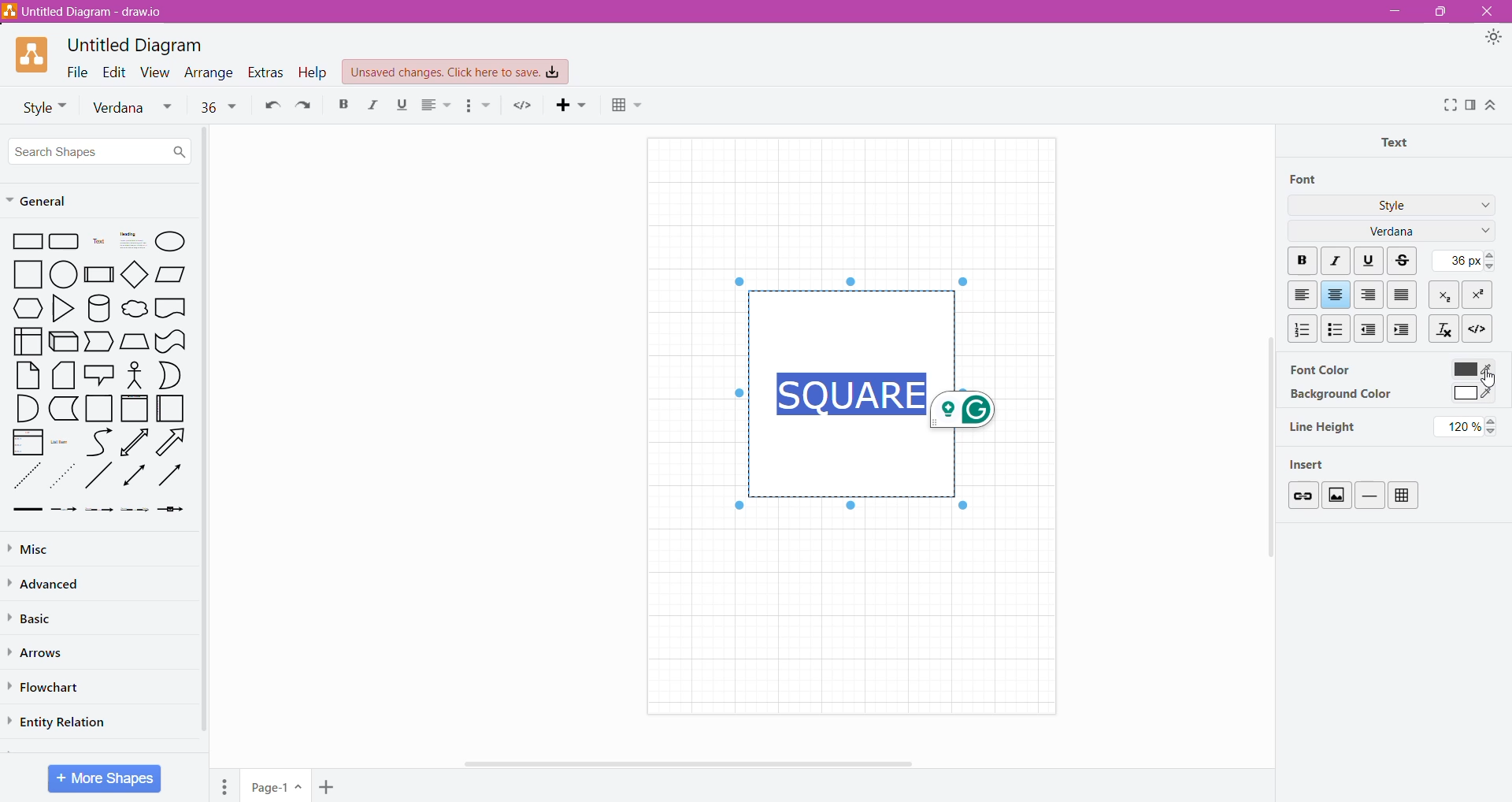 The height and width of the screenshot is (802, 1512). I want to click on Italic, so click(370, 105).